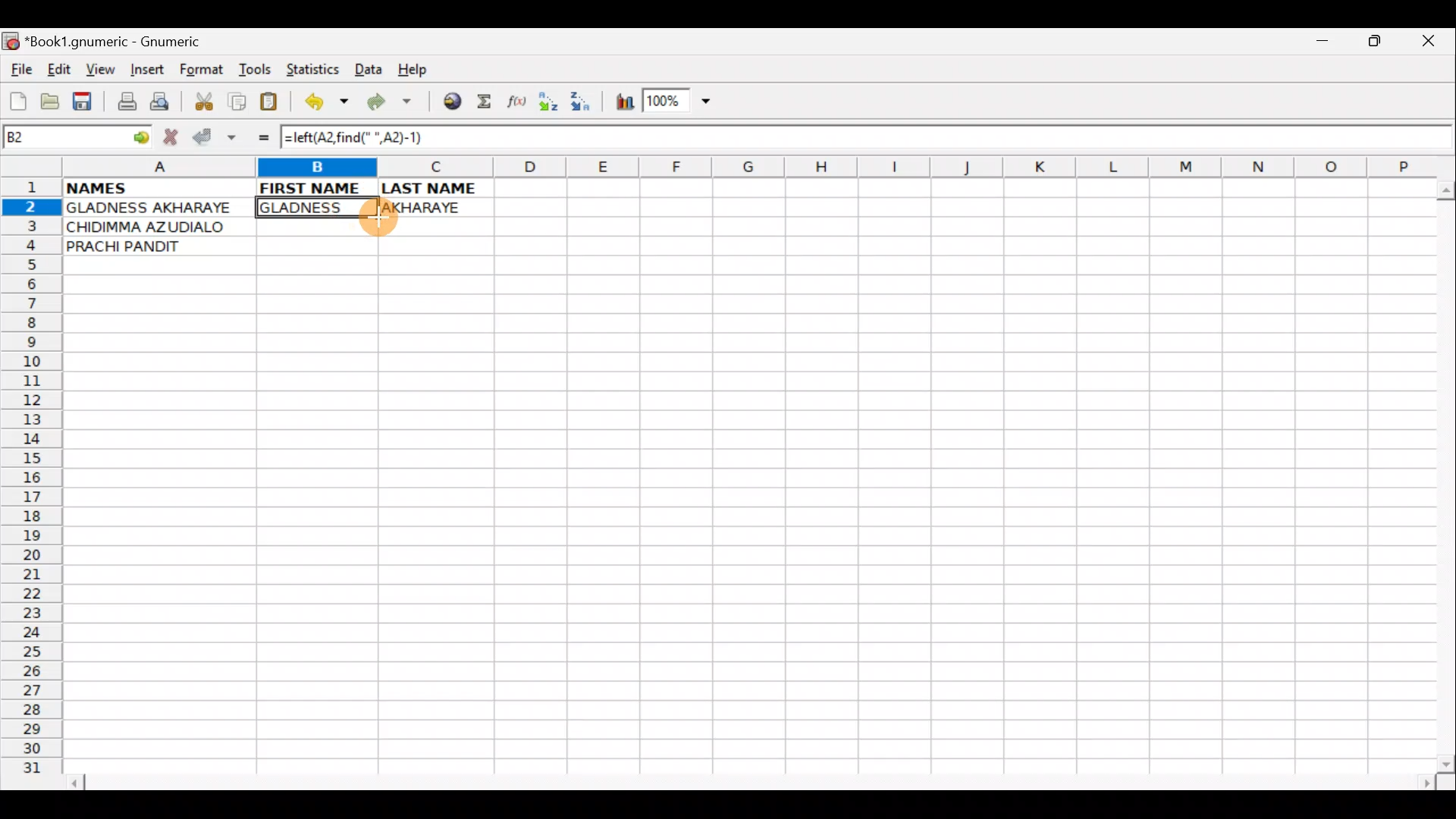 This screenshot has height=819, width=1456. What do you see at coordinates (146, 70) in the screenshot?
I see `Insert` at bounding box center [146, 70].